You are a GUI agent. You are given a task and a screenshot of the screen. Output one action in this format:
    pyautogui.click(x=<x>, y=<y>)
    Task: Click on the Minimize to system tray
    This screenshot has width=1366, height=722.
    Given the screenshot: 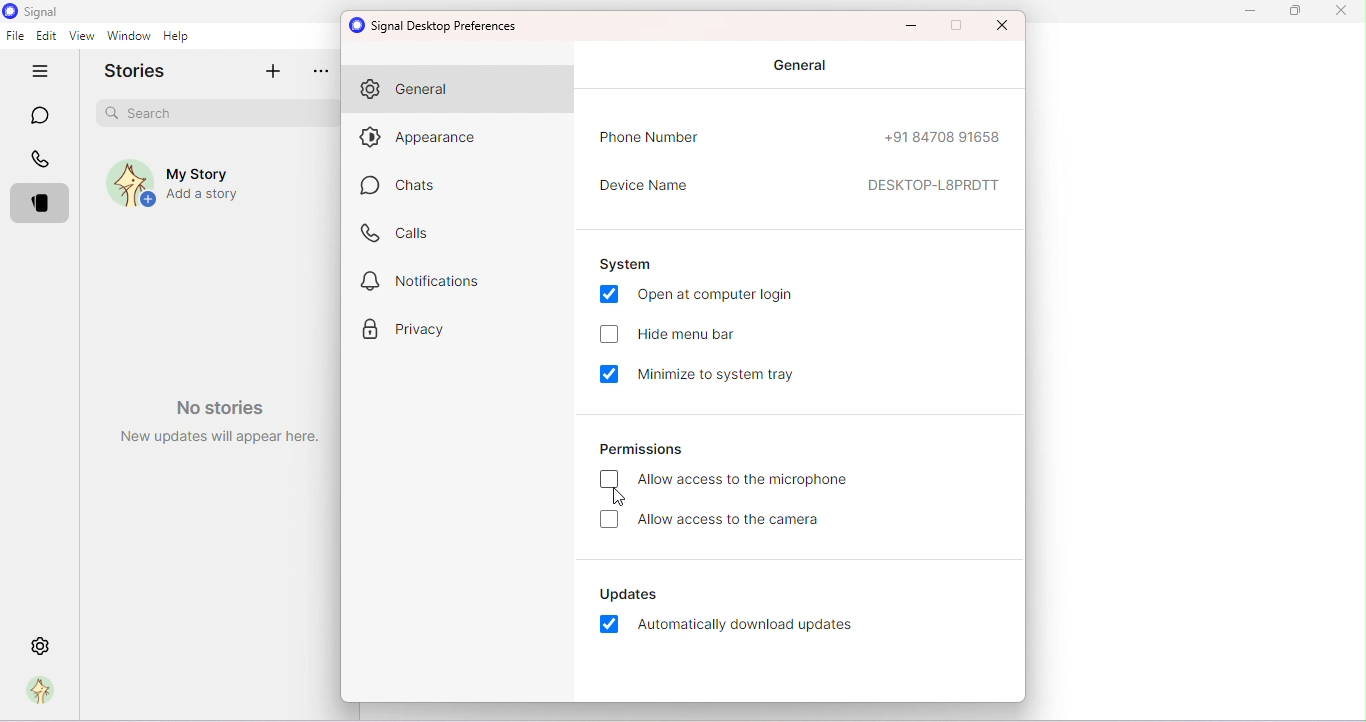 What is the action you would take?
    pyautogui.click(x=701, y=373)
    